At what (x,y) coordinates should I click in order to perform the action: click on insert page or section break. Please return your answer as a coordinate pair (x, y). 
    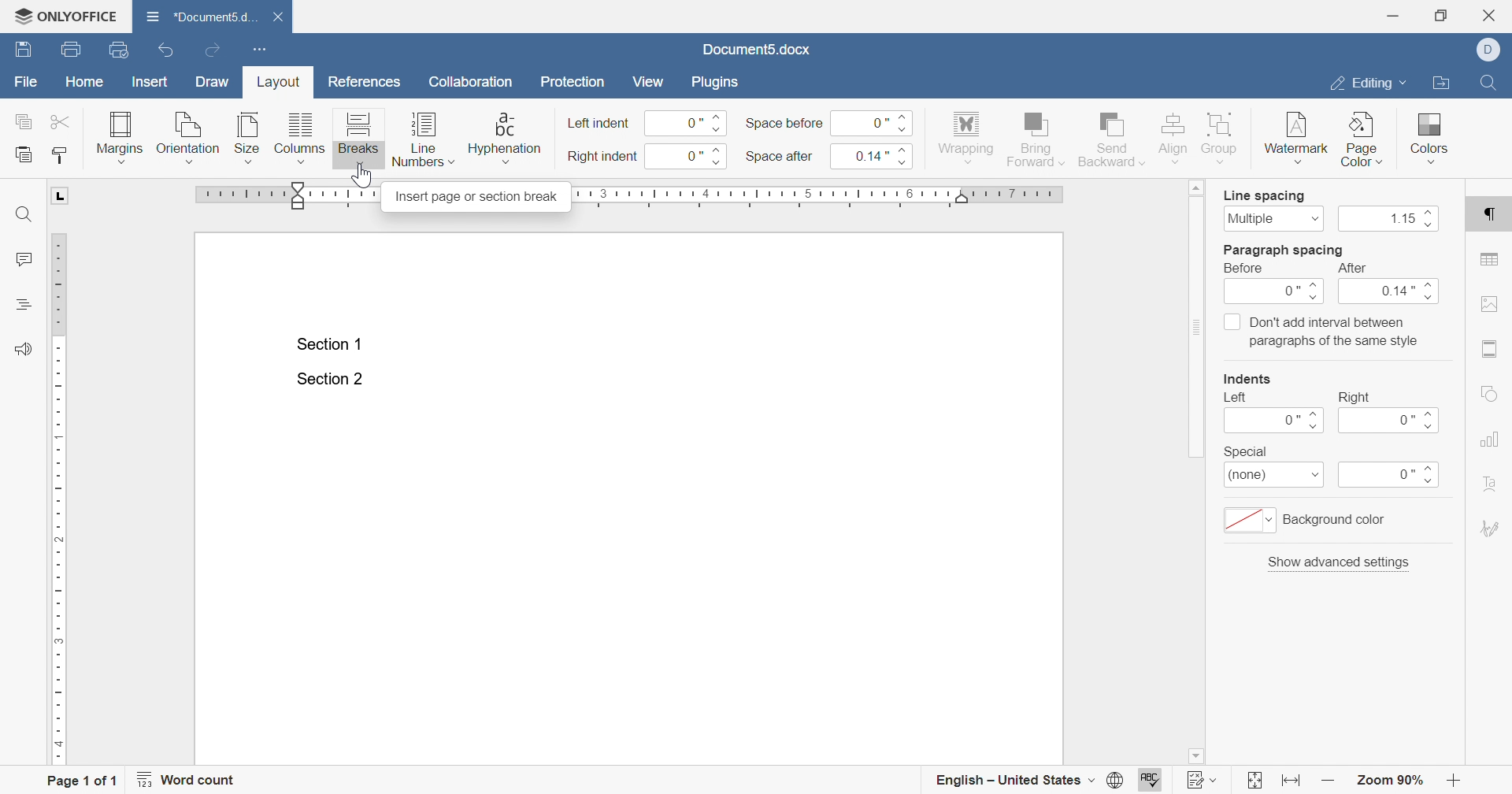
    Looking at the image, I should click on (473, 198).